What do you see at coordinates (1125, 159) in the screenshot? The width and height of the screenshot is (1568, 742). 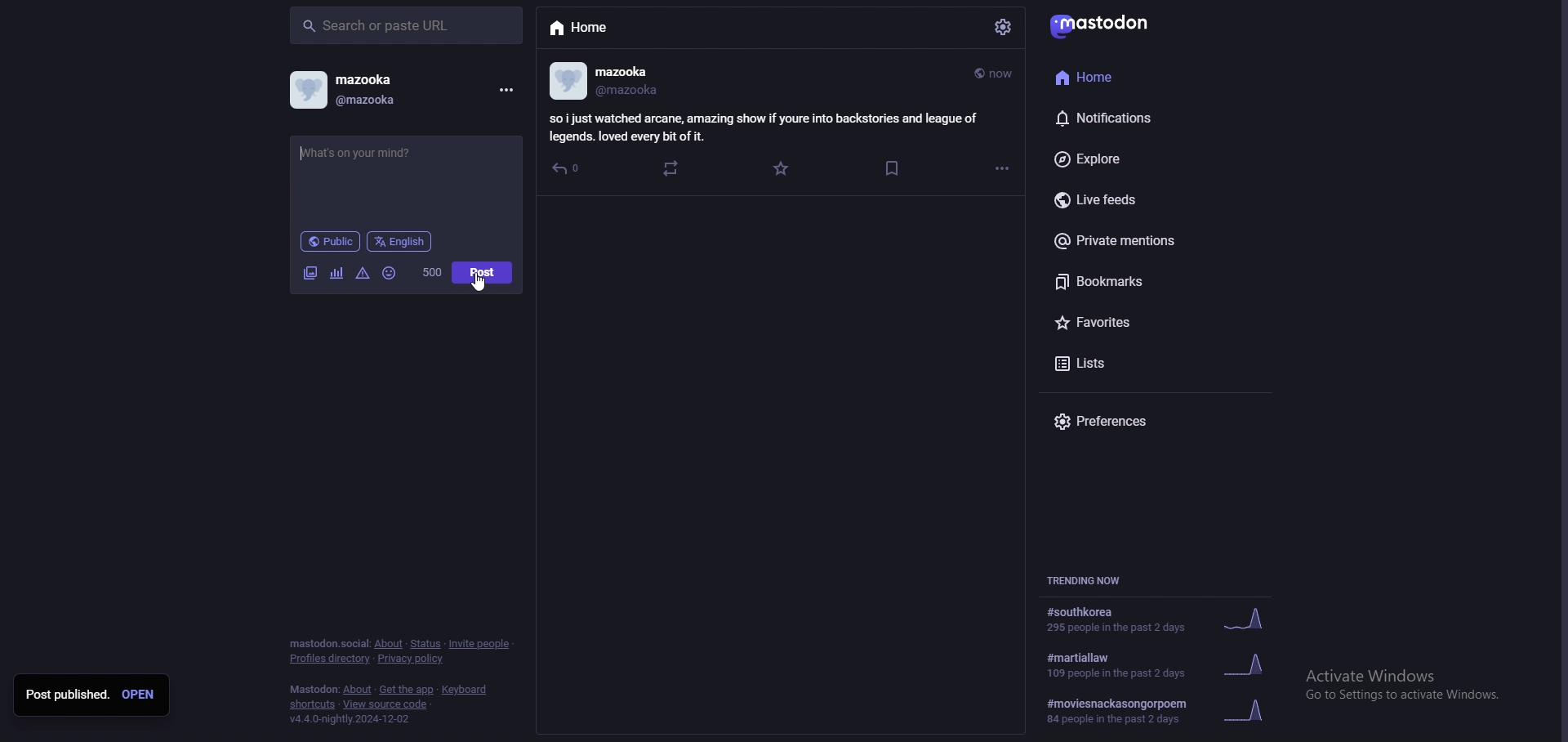 I see `explore` at bounding box center [1125, 159].